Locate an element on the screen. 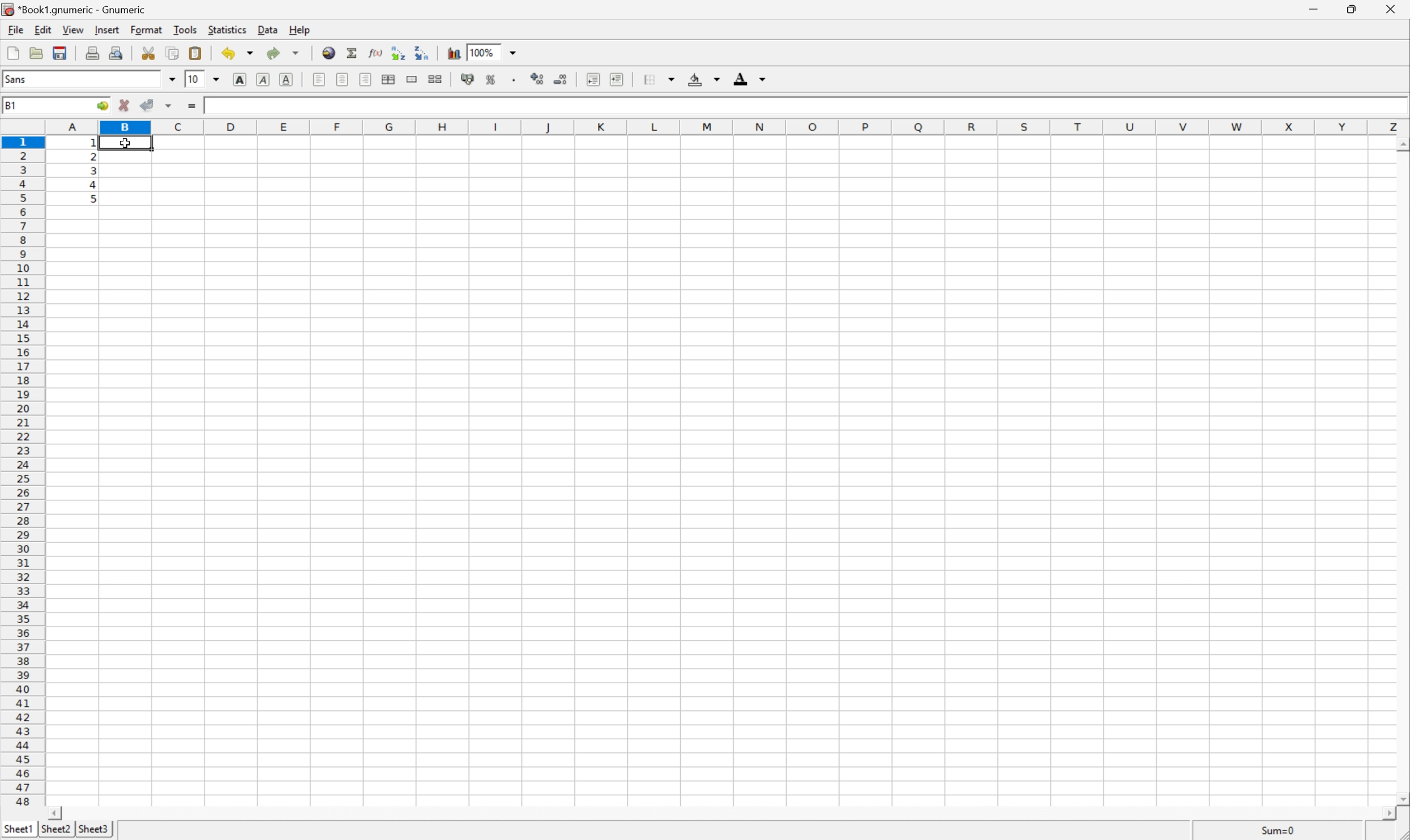  Format is located at coordinates (148, 30).